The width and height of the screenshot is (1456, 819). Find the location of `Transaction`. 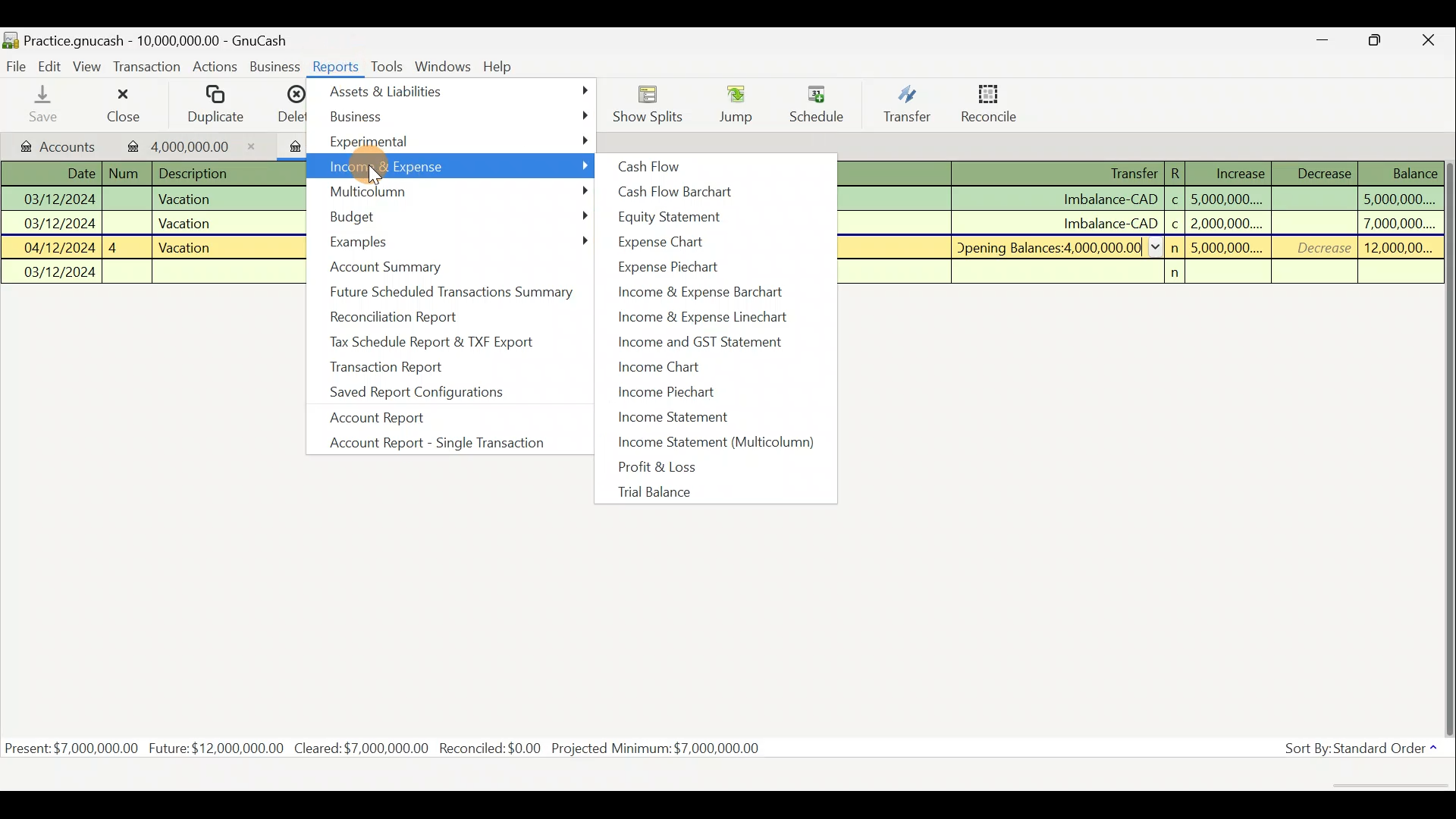

Transaction is located at coordinates (147, 68).